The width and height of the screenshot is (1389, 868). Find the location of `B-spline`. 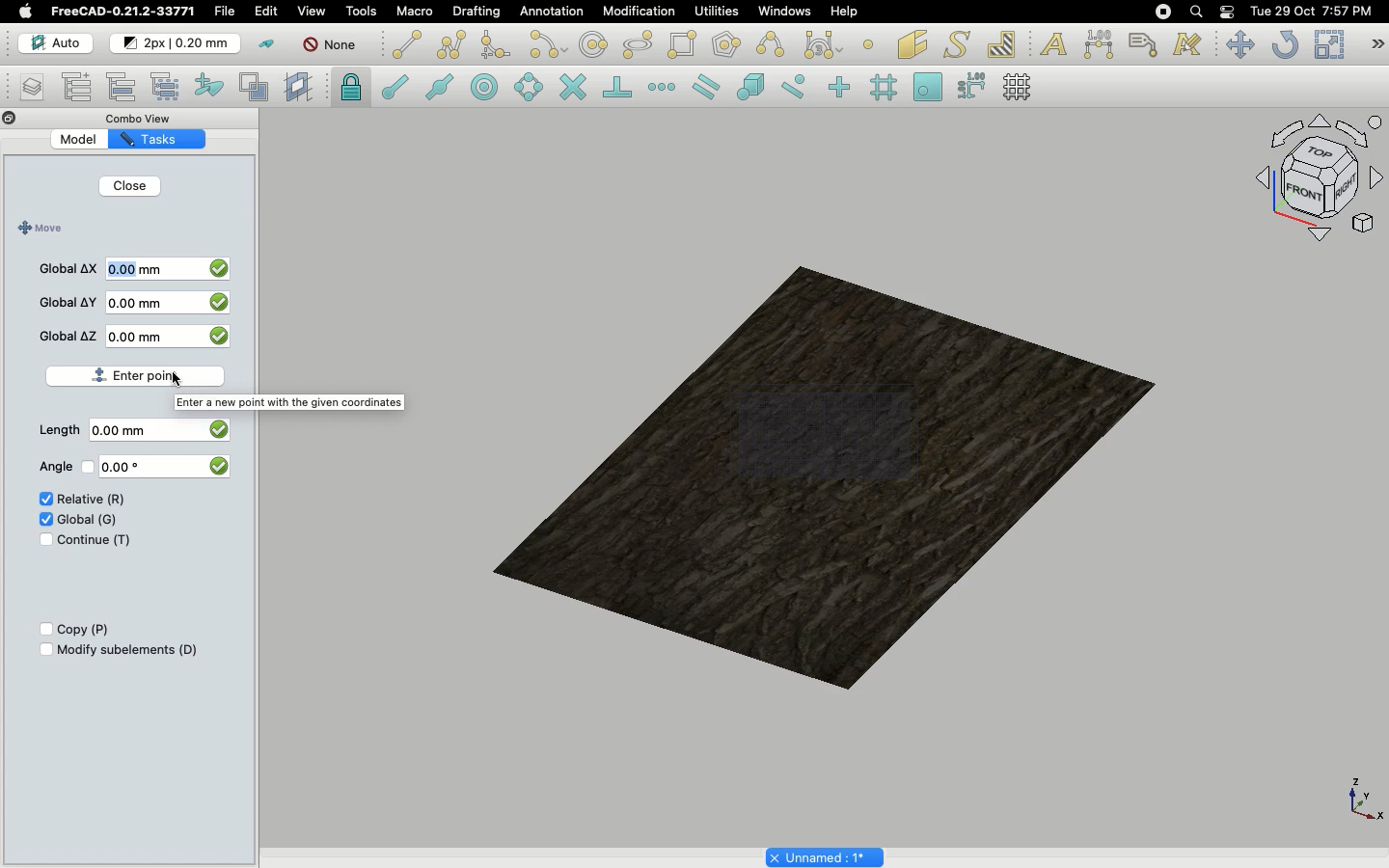

B-spline is located at coordinates (774, 44).